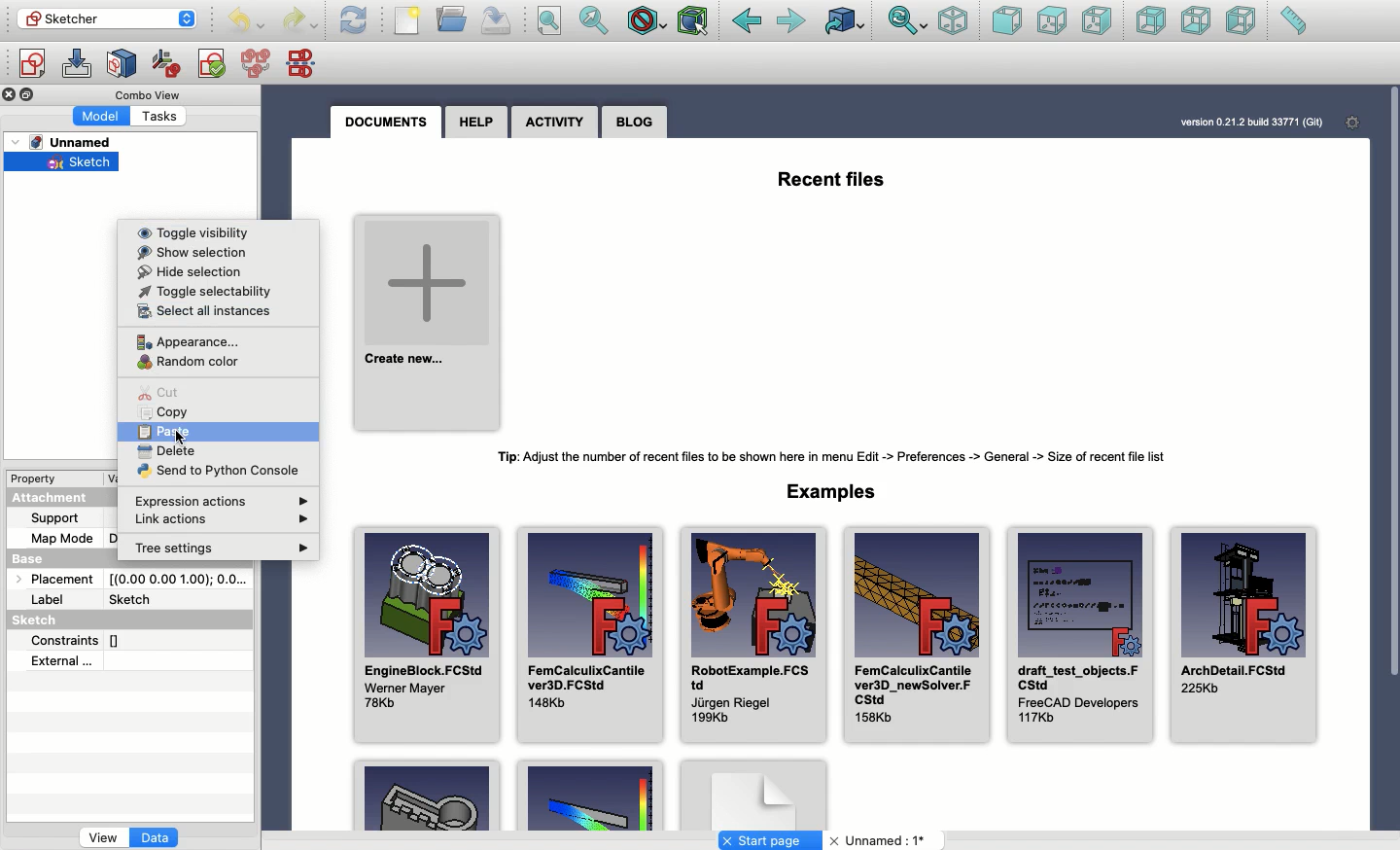 This screenshot has height=850, width=1400. I want to click on Back, so click(747, 21).